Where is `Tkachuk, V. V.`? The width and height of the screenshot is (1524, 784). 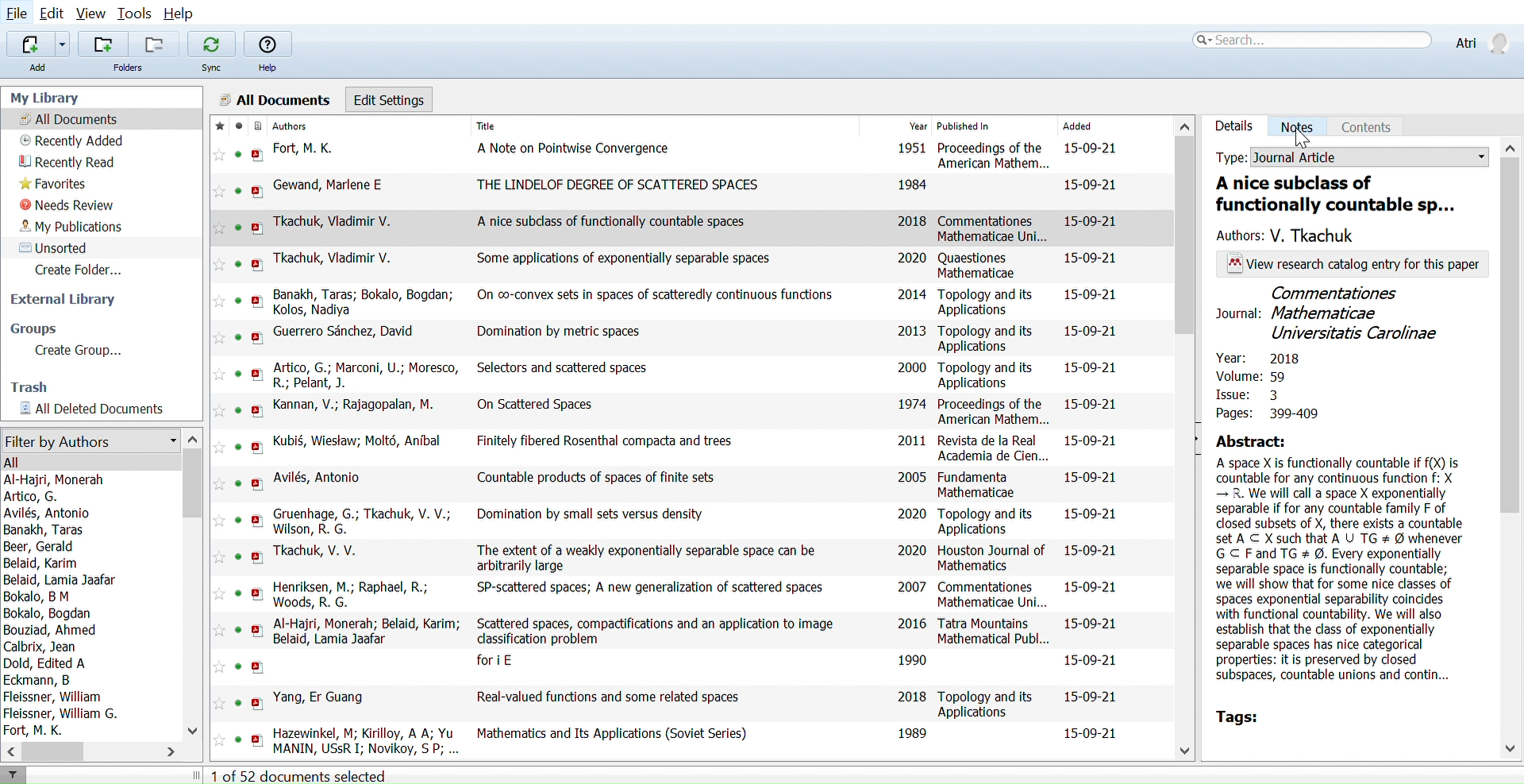 Tkachuk, V. V. is located at coordinates (318, 549).